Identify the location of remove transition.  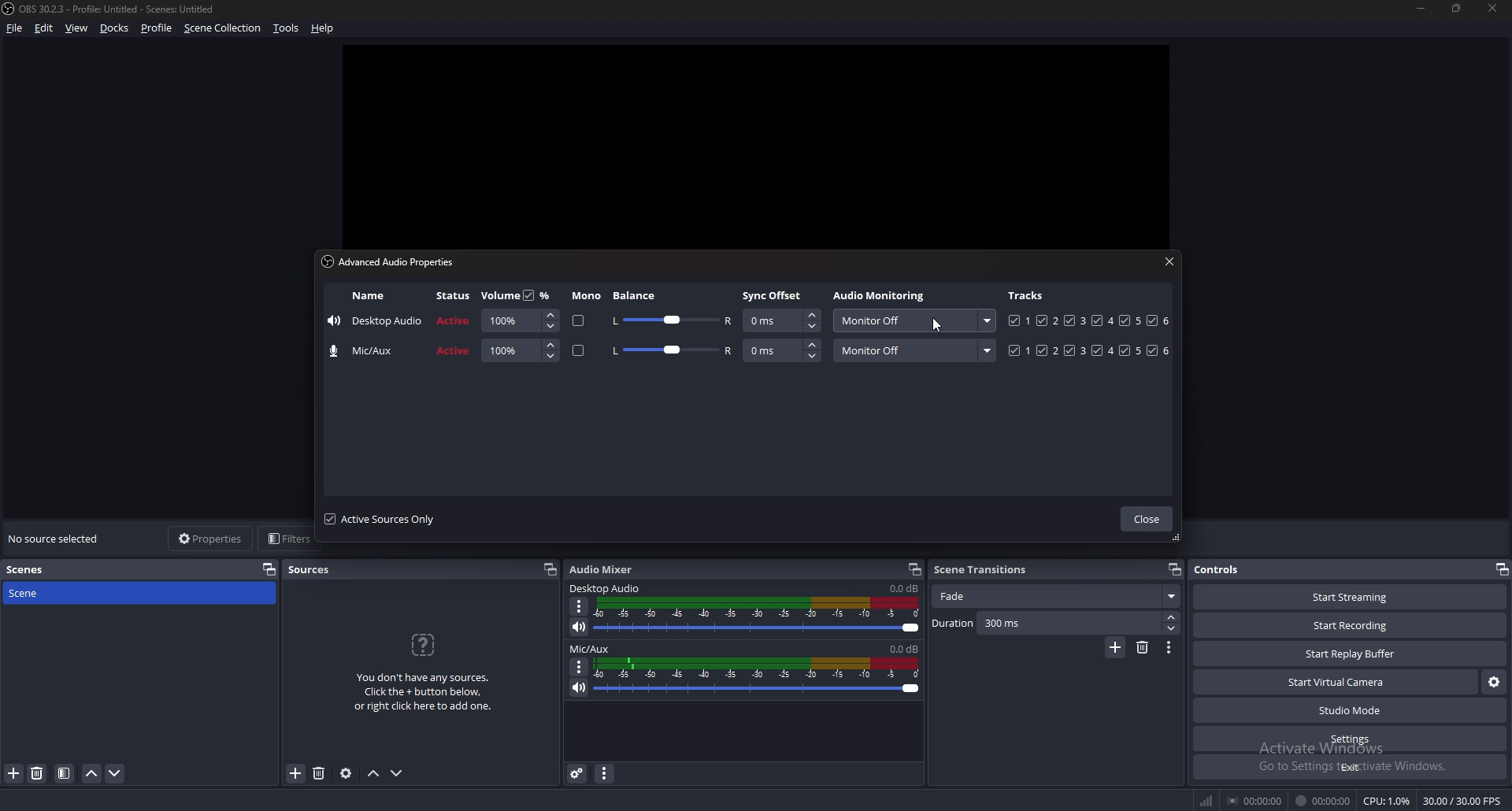
(1142, 648).